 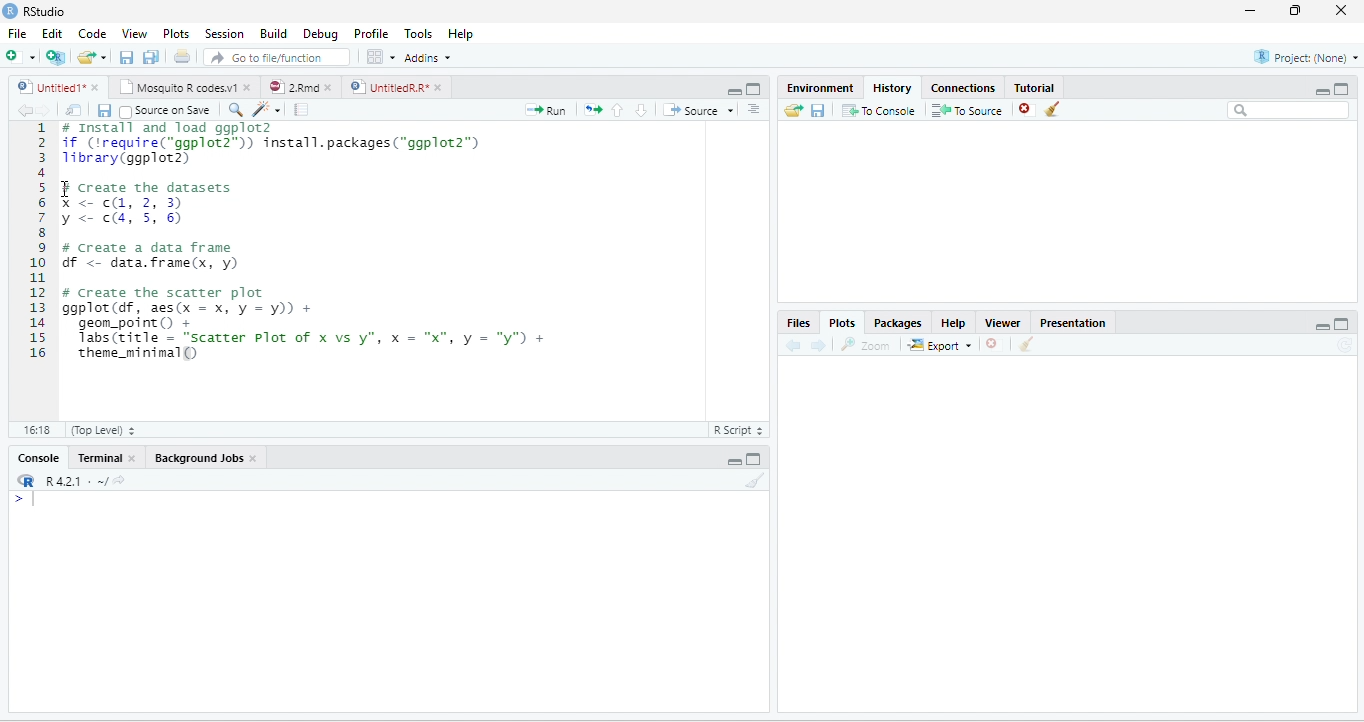 What do you see at coordinates (993, 345) in the screenshot?
I see `Remove current plot` at bounding box center [993, 345].